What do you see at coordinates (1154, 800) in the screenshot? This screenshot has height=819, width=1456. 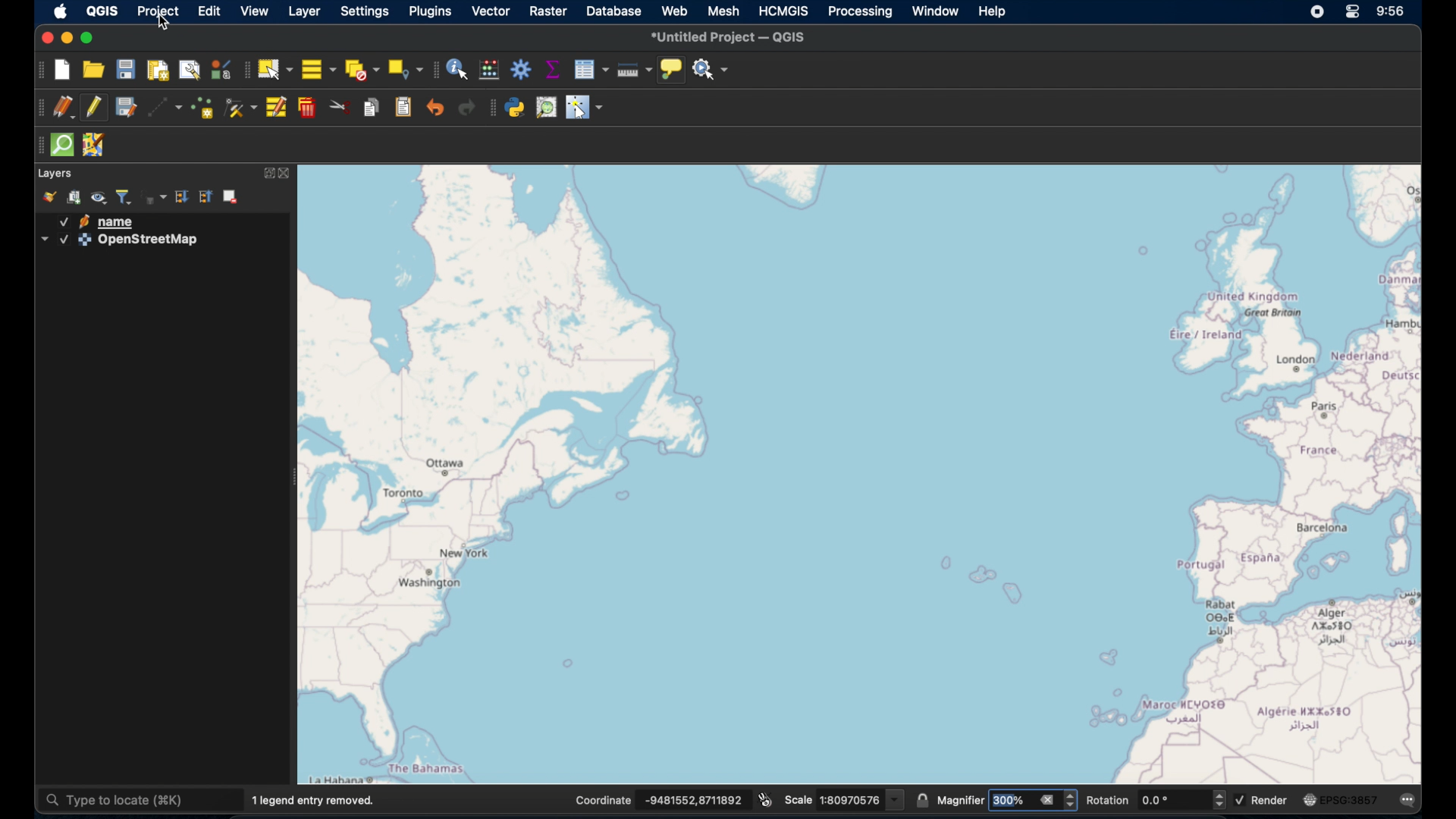 I see `rotation` at bounding box center [1154, 800].